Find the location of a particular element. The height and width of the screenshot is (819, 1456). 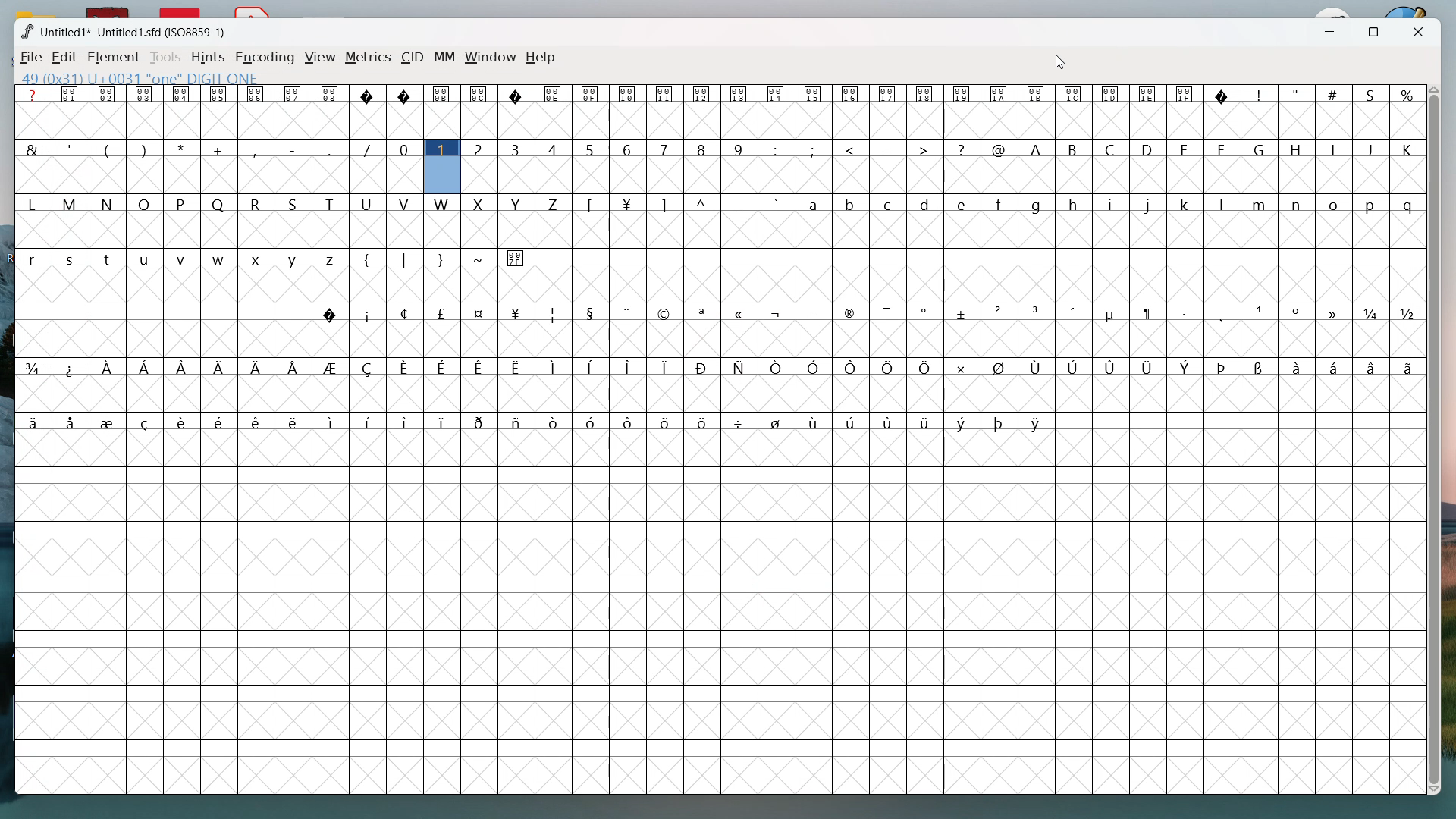

symbol is located at coordinates (964, 312).